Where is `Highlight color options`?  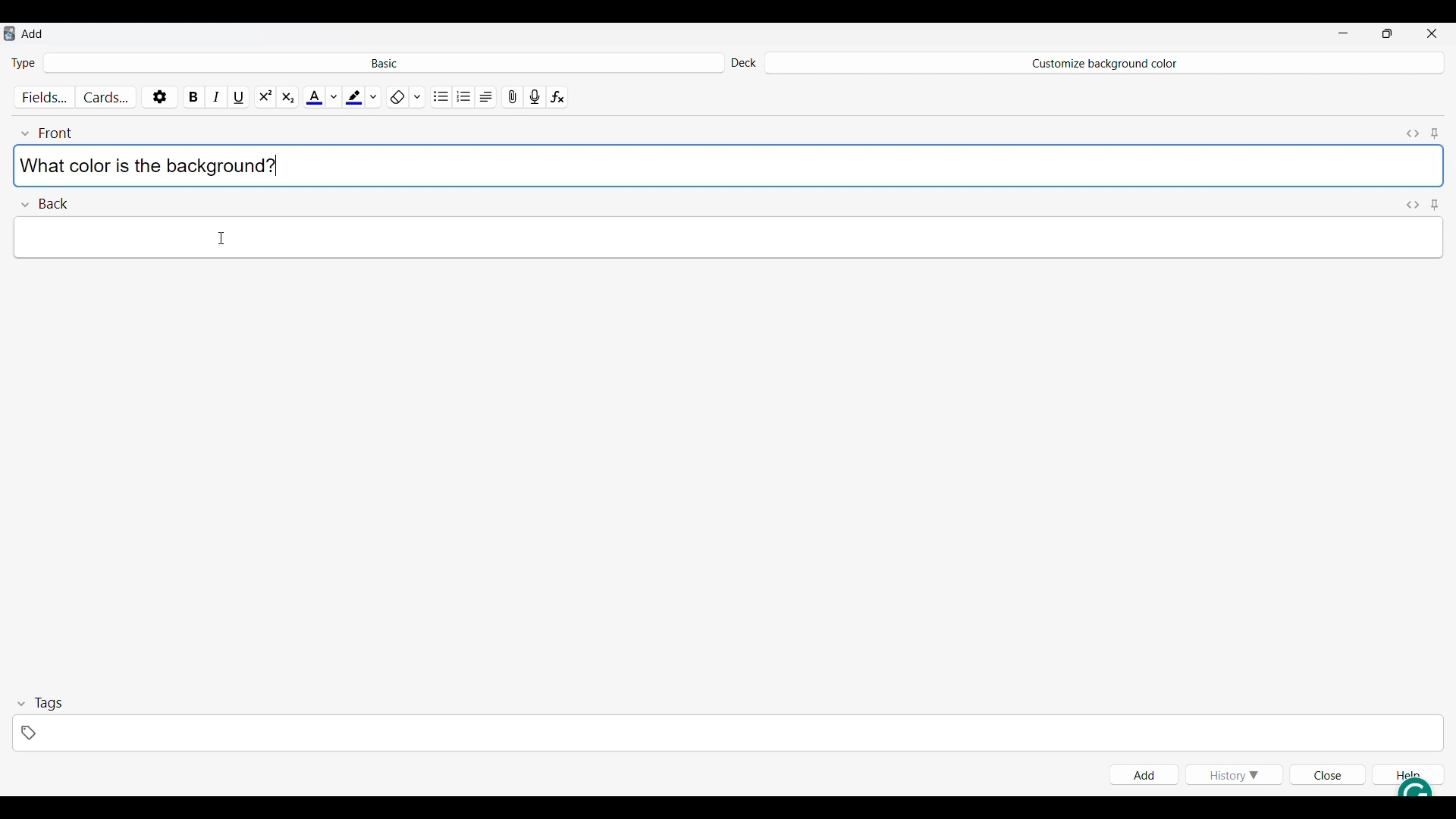
Highlight color options is located at coordinates (374, 94).